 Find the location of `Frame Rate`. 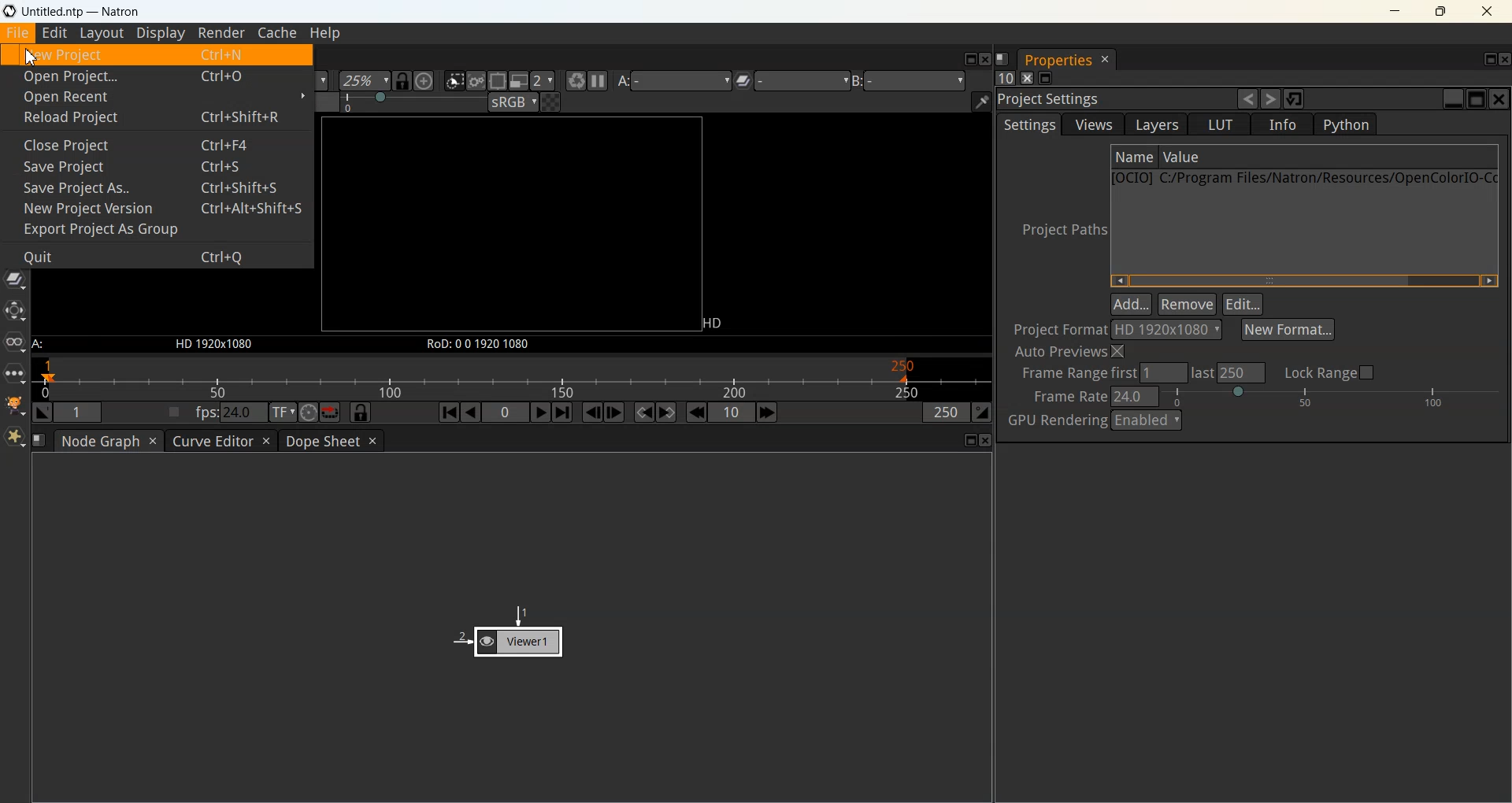

Frame Rate is located at coordinates (1066, 397).